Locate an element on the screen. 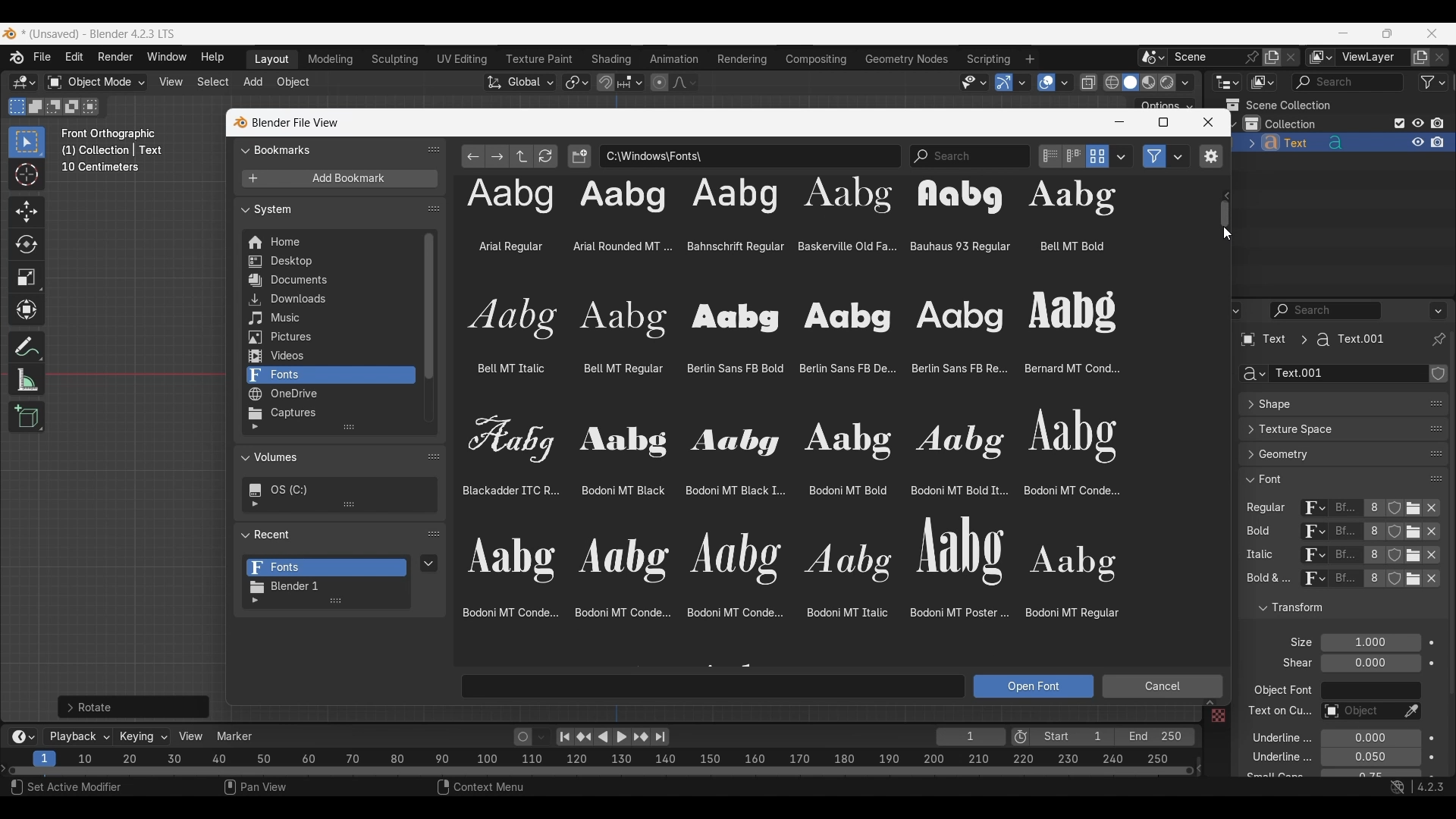 The height and width of the screenshot is (819, 1456). Display number of users of this data for respective attribute is located at coordinates (1373, 509).